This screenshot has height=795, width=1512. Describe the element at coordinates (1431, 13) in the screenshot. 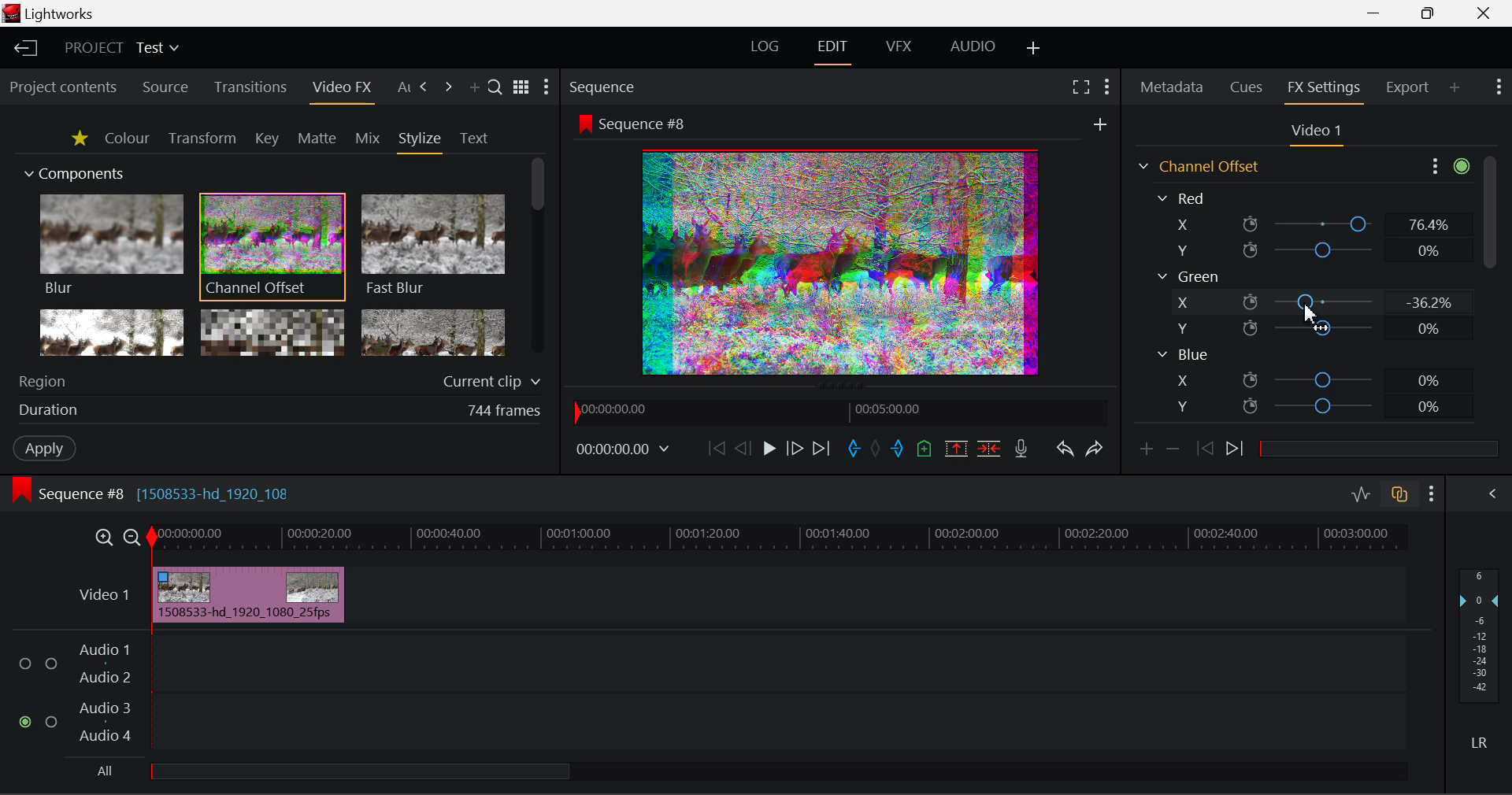

I see `Minimize` at that location.